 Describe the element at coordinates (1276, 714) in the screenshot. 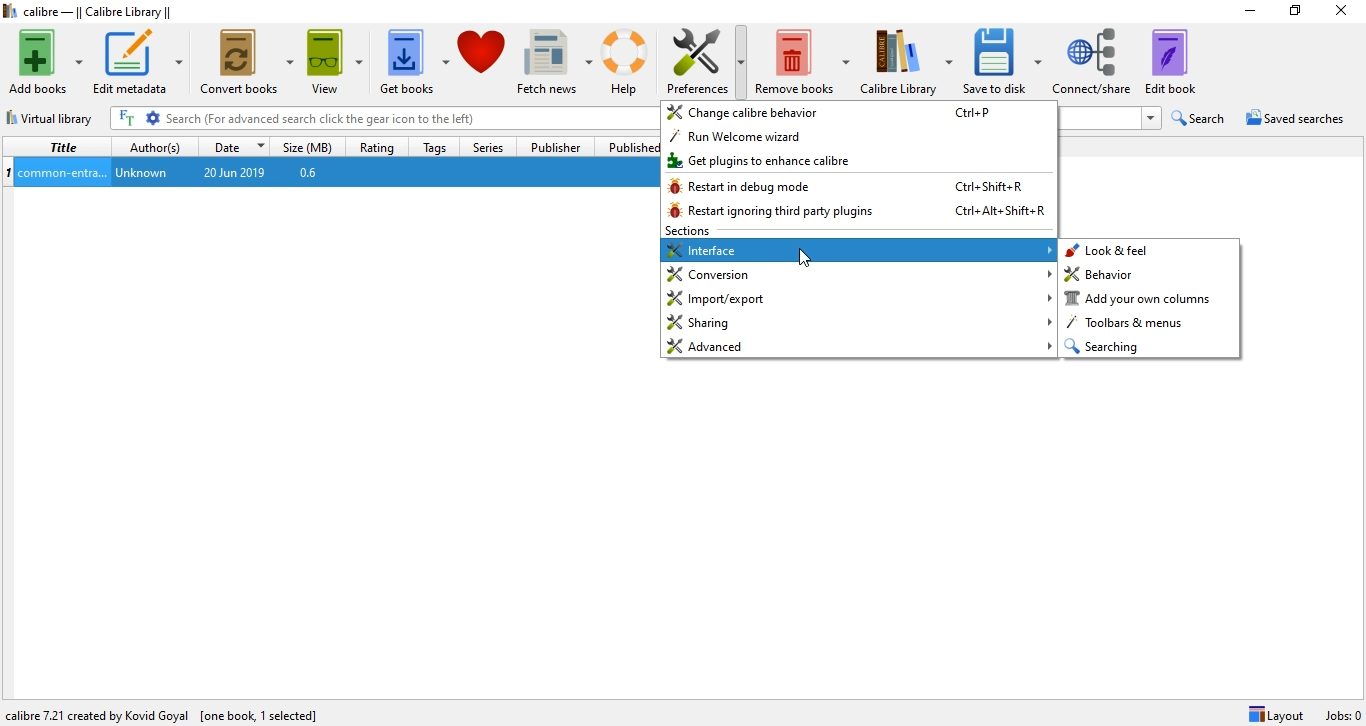

I see `Layout` at that location.